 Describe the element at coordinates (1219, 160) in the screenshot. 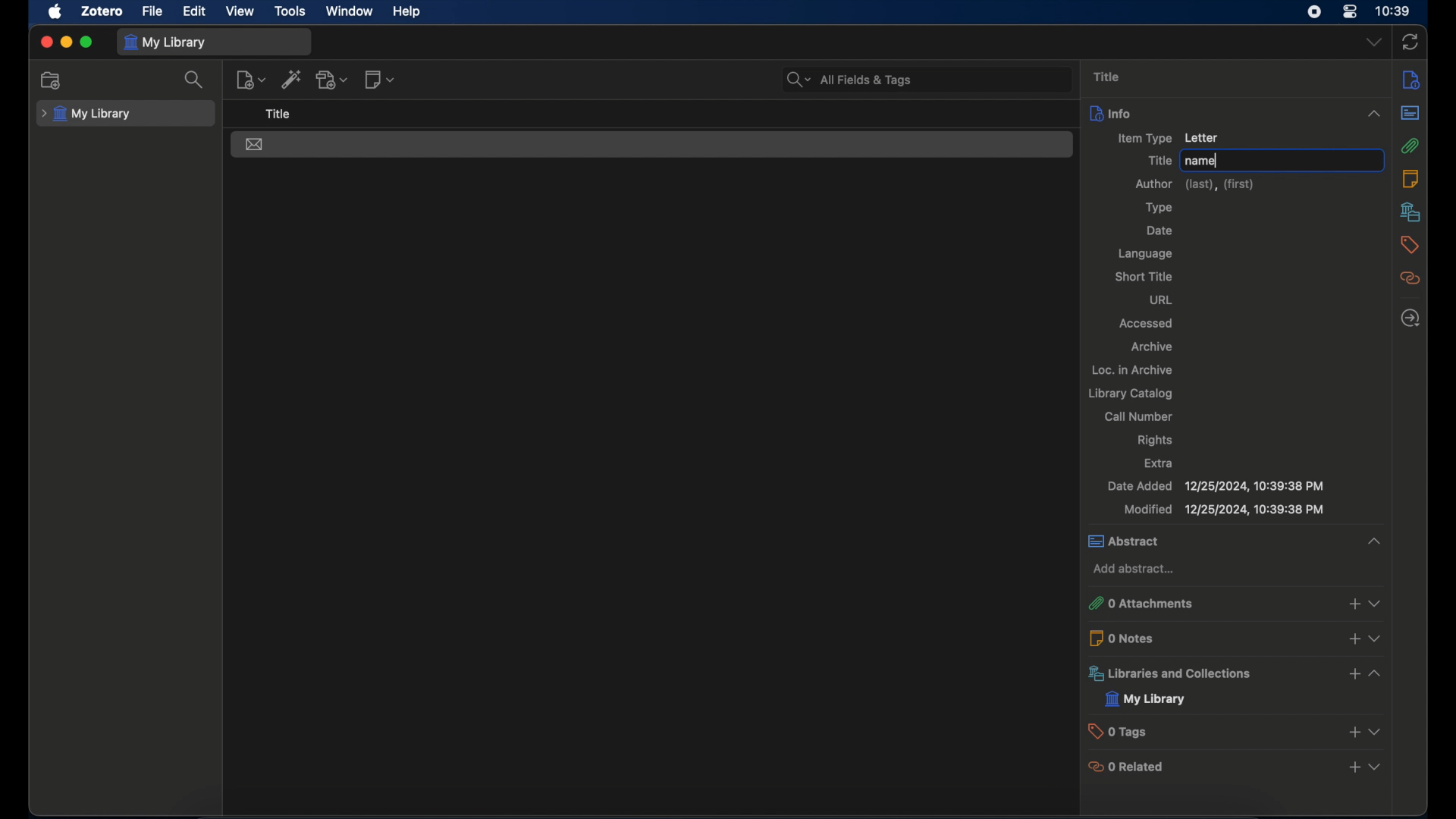

I see `cursor` at that location.